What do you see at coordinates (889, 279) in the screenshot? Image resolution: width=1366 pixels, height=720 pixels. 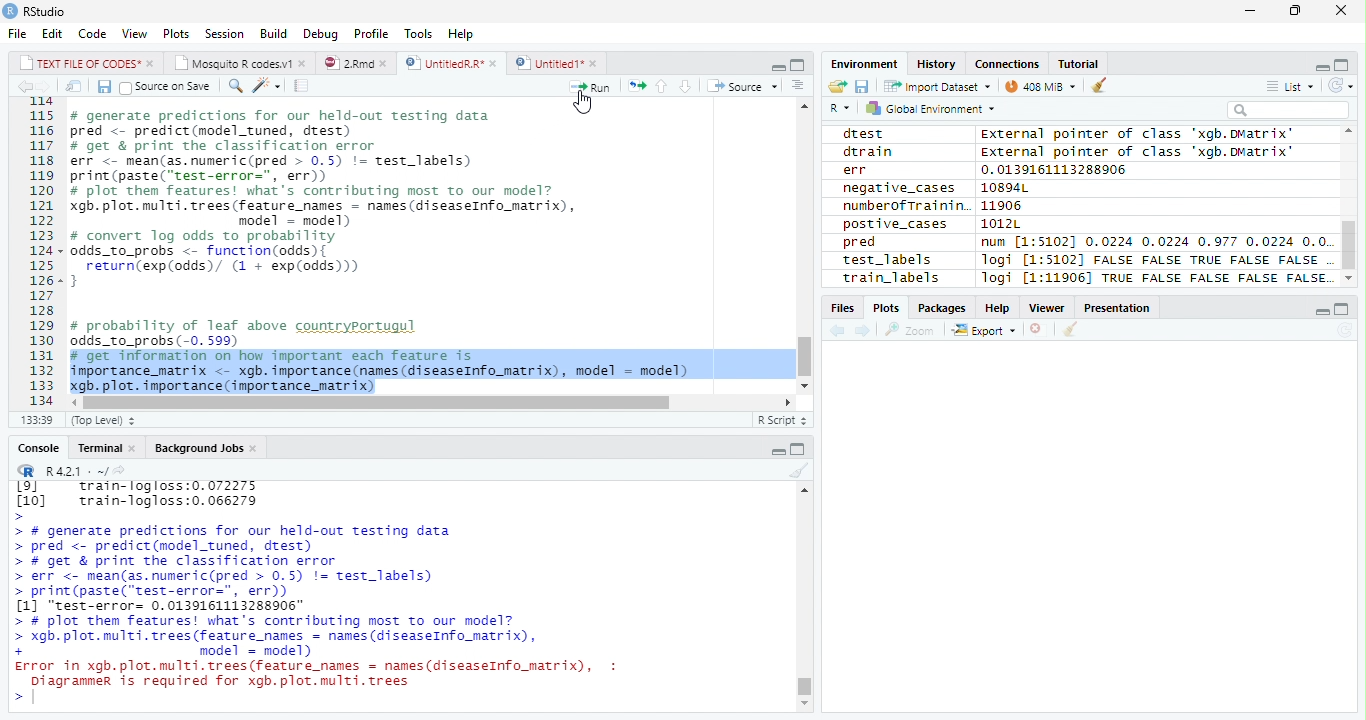 I see `train_labels` at bounding box center [889, 279].